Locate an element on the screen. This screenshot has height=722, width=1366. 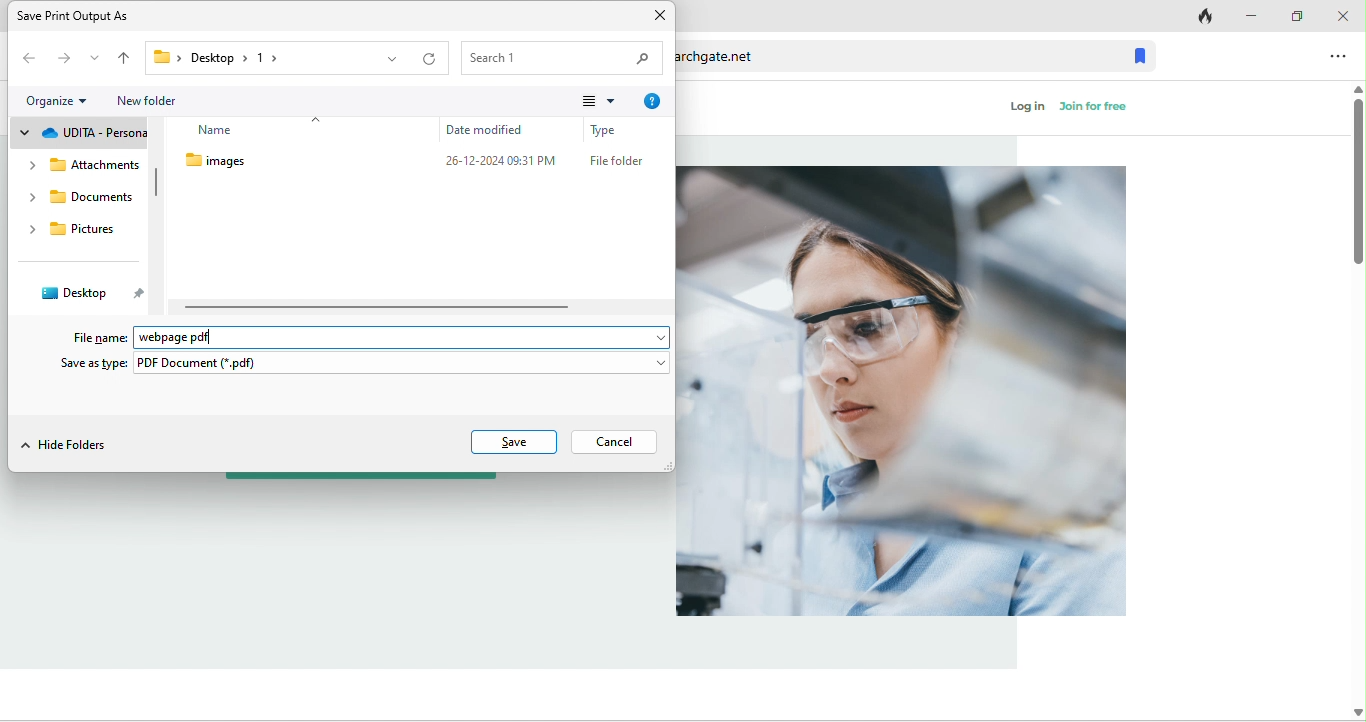
type is located at coordinates (612, 131).